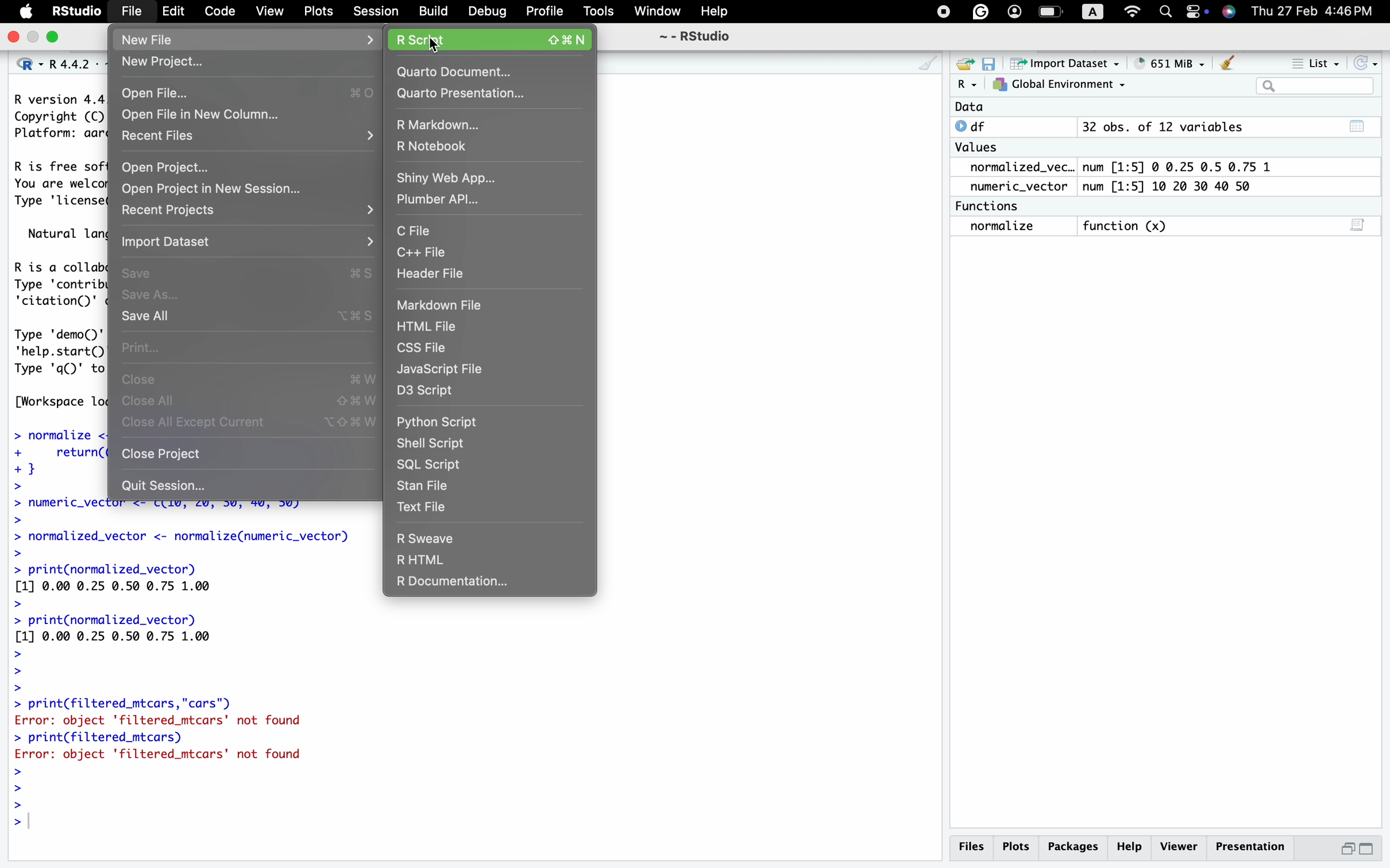 The image size is (1390, 868). I want to click on Open File in New Column..., so click(248, 115).